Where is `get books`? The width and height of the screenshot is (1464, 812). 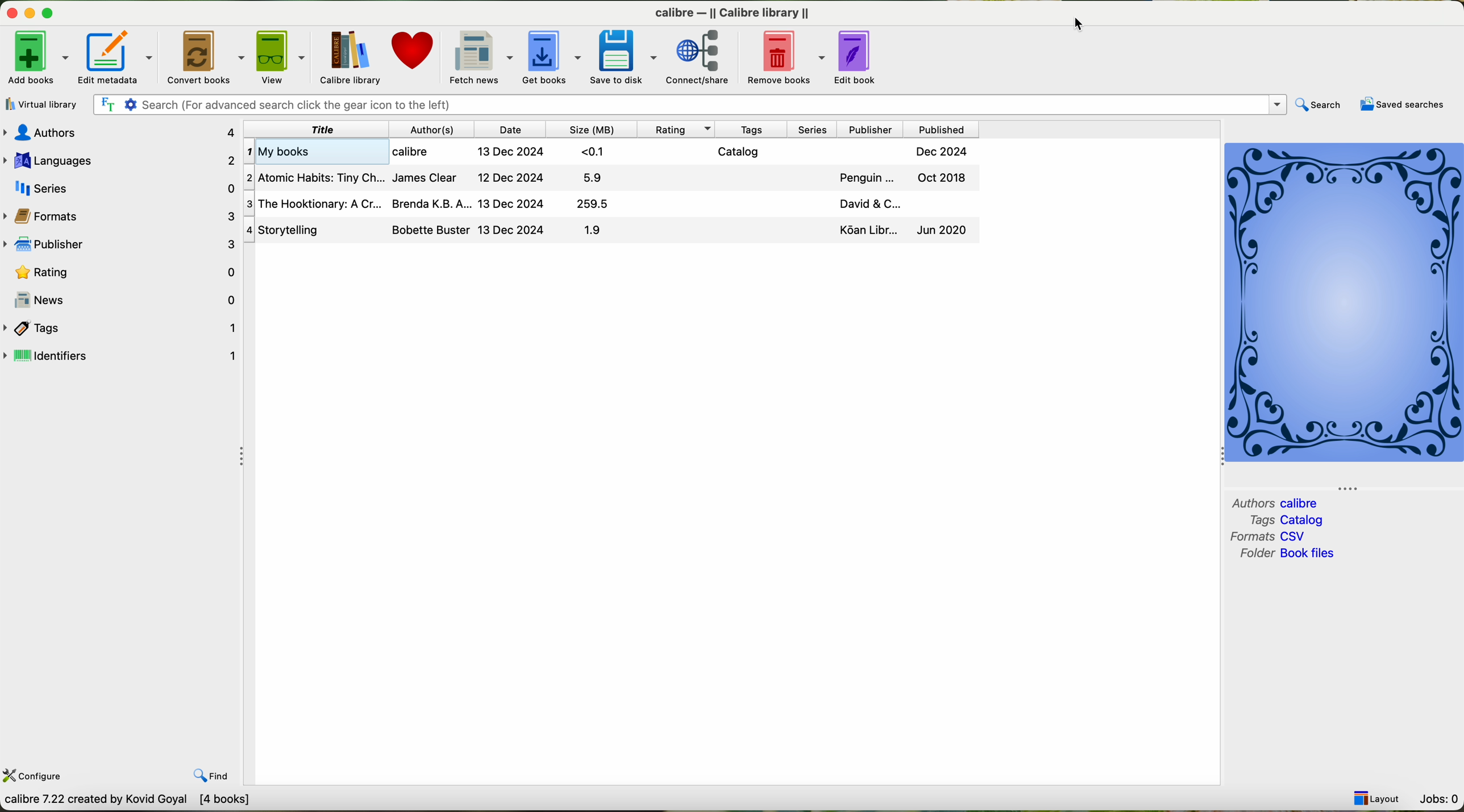
get books is located at coordinates (551, 56).